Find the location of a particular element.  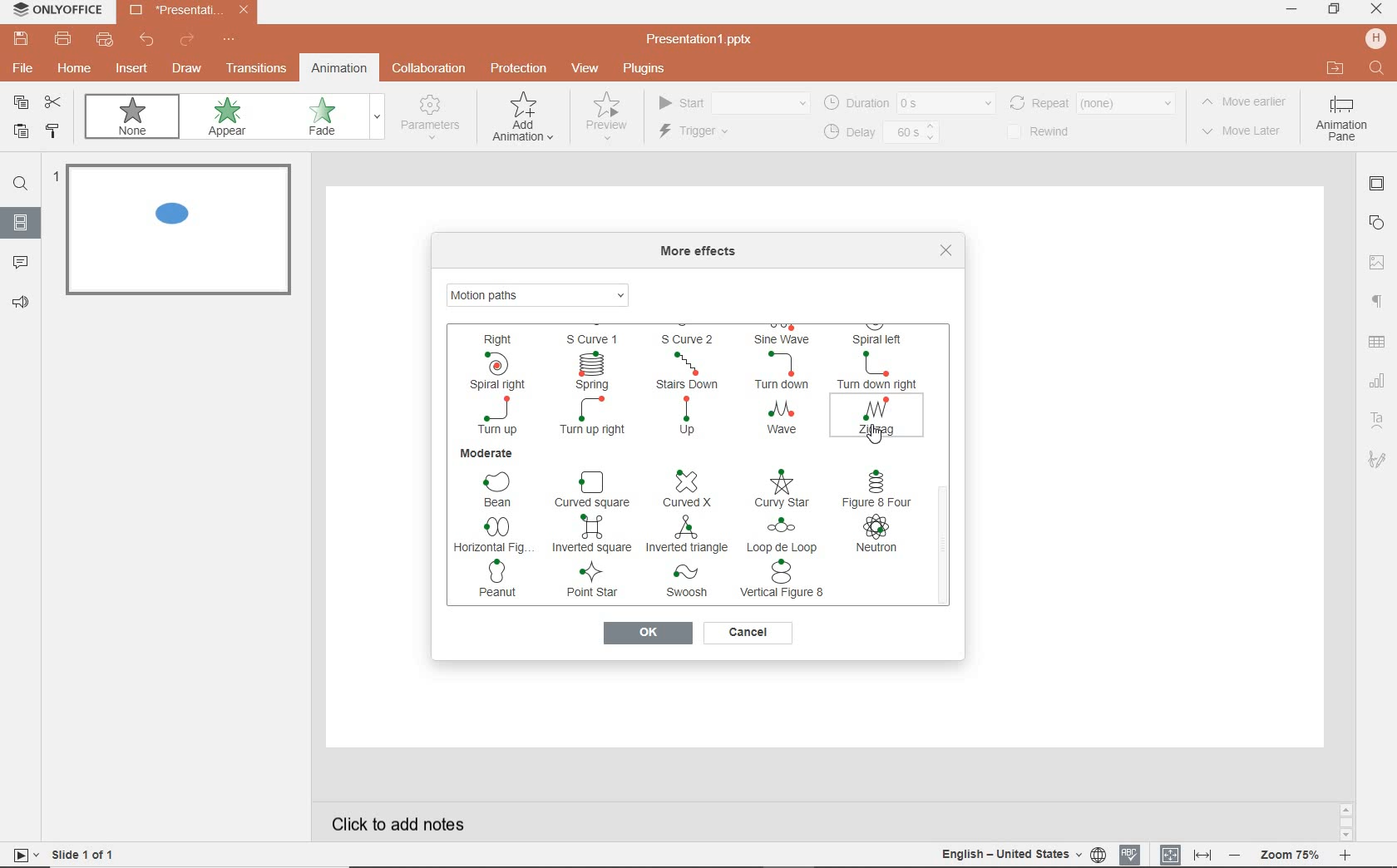

spring is located at coordinates (593, 370).